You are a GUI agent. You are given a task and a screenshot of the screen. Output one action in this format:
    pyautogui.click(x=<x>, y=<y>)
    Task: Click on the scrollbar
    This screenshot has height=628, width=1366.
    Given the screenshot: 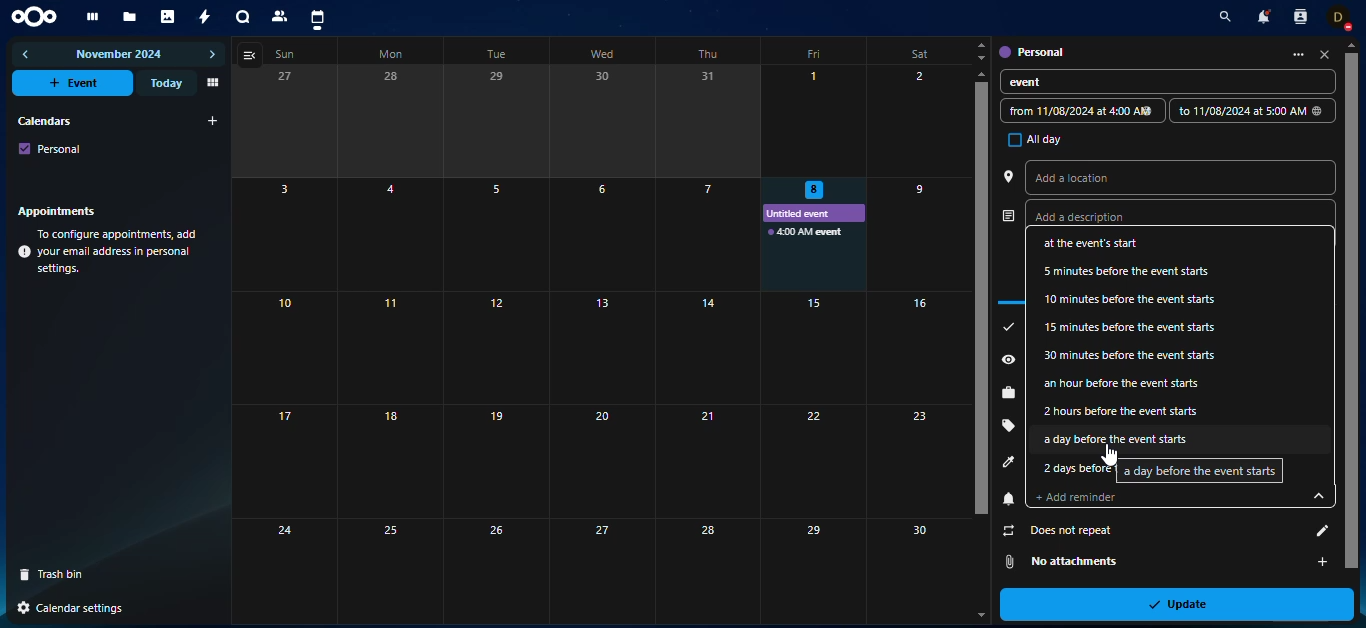 What is the action you would take?
    pyautogui.click(x=981, y=299)
    